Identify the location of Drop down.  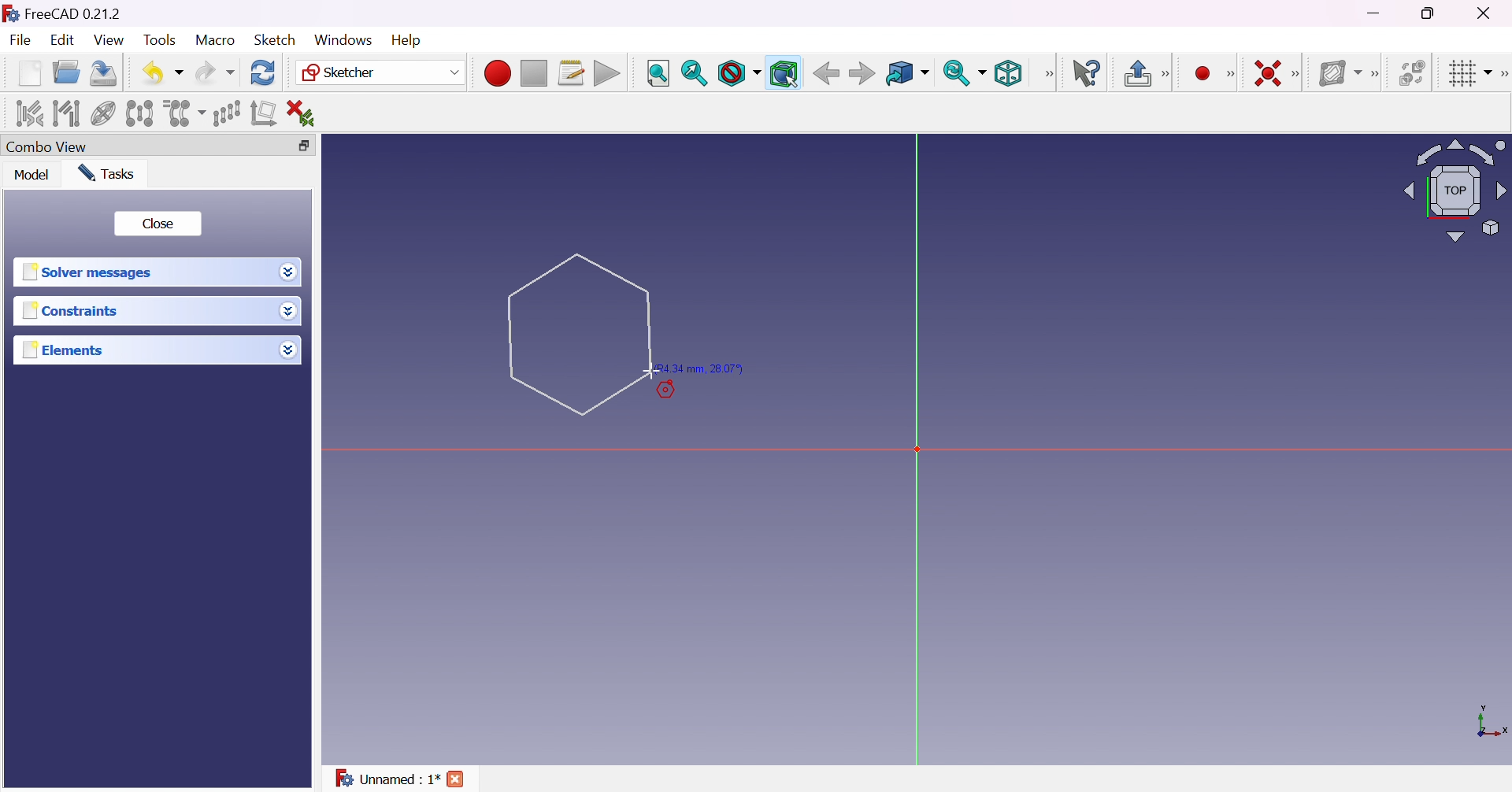
(287, 346).